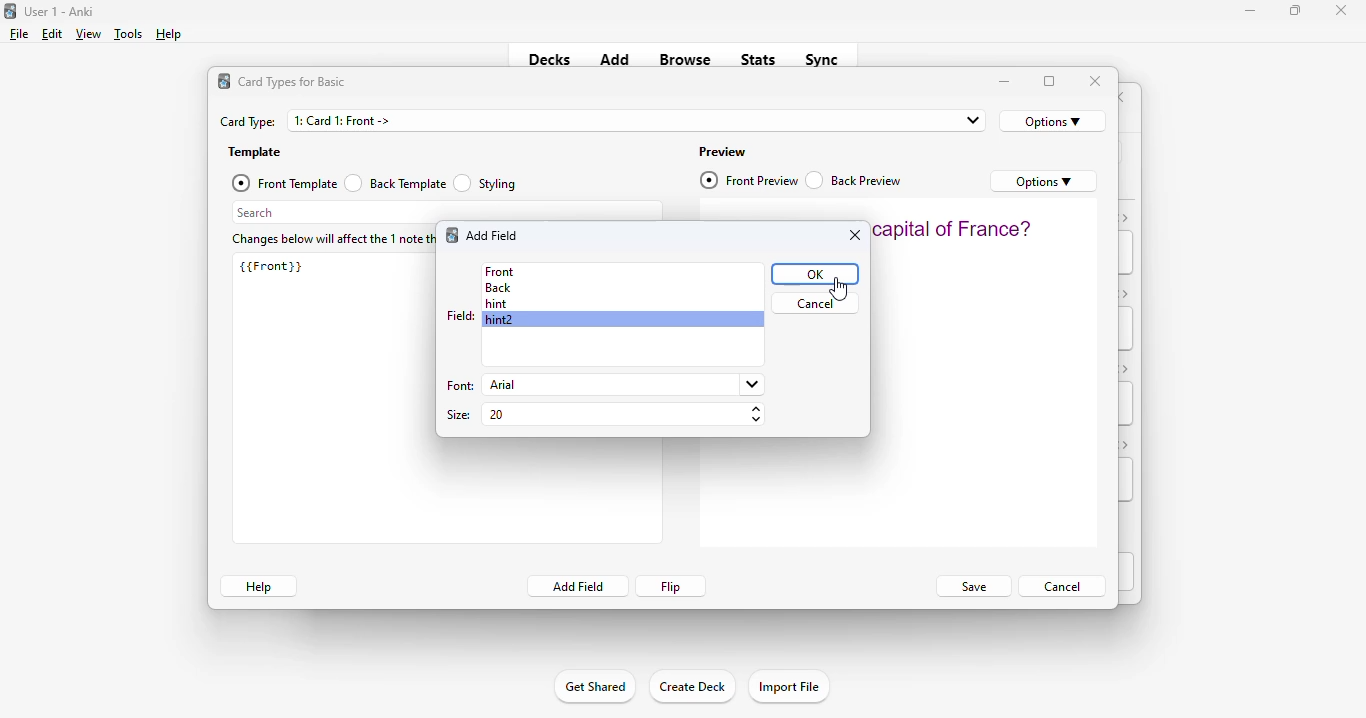  Describe the element at coordinates (447, 212) in the screenshot. I see `search` at that location.